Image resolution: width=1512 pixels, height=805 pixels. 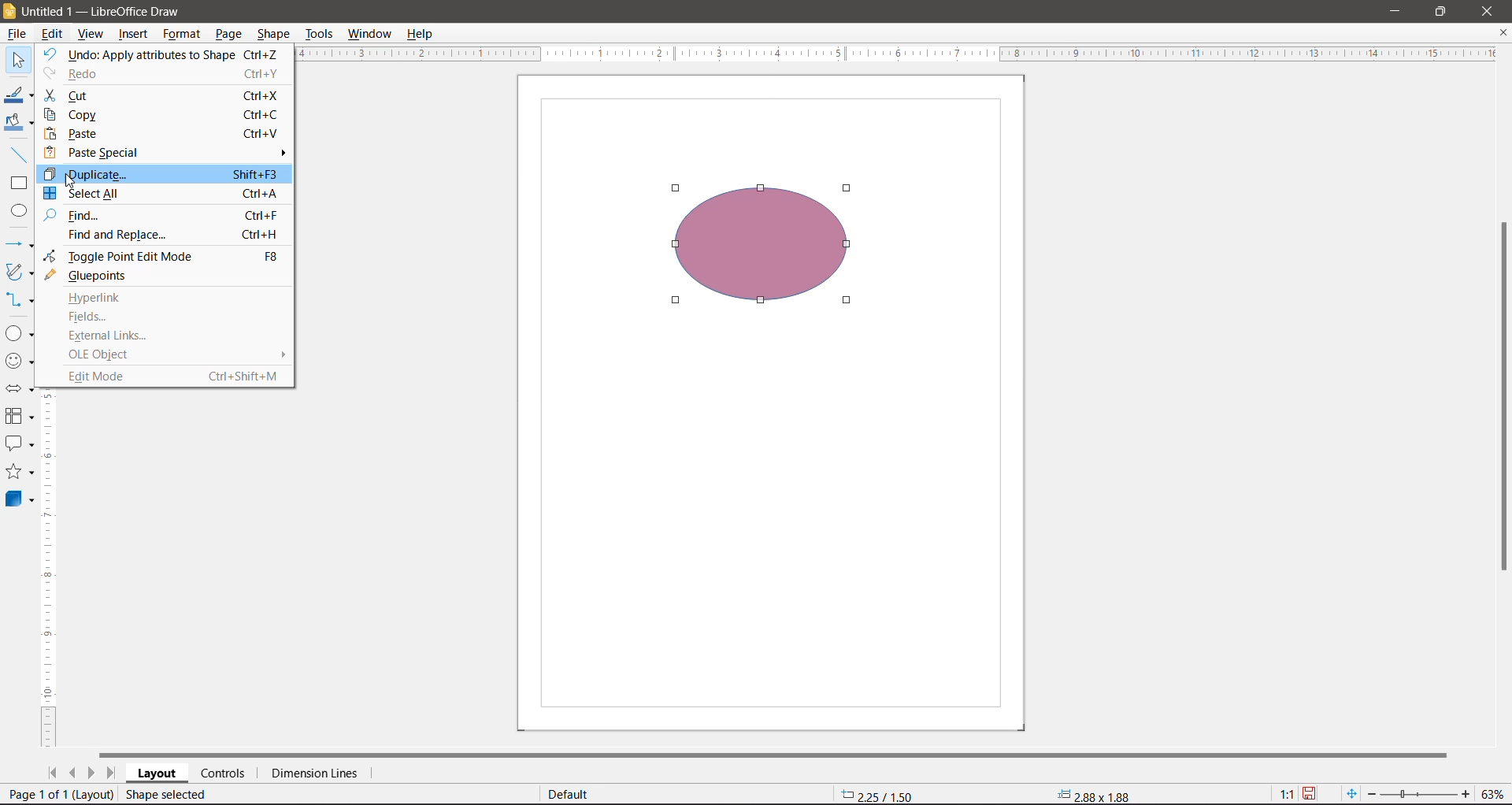 What do you see at coordinates (9, 10) in the screenshot?
I see `Application Logo` at bounding box center [9, 10].